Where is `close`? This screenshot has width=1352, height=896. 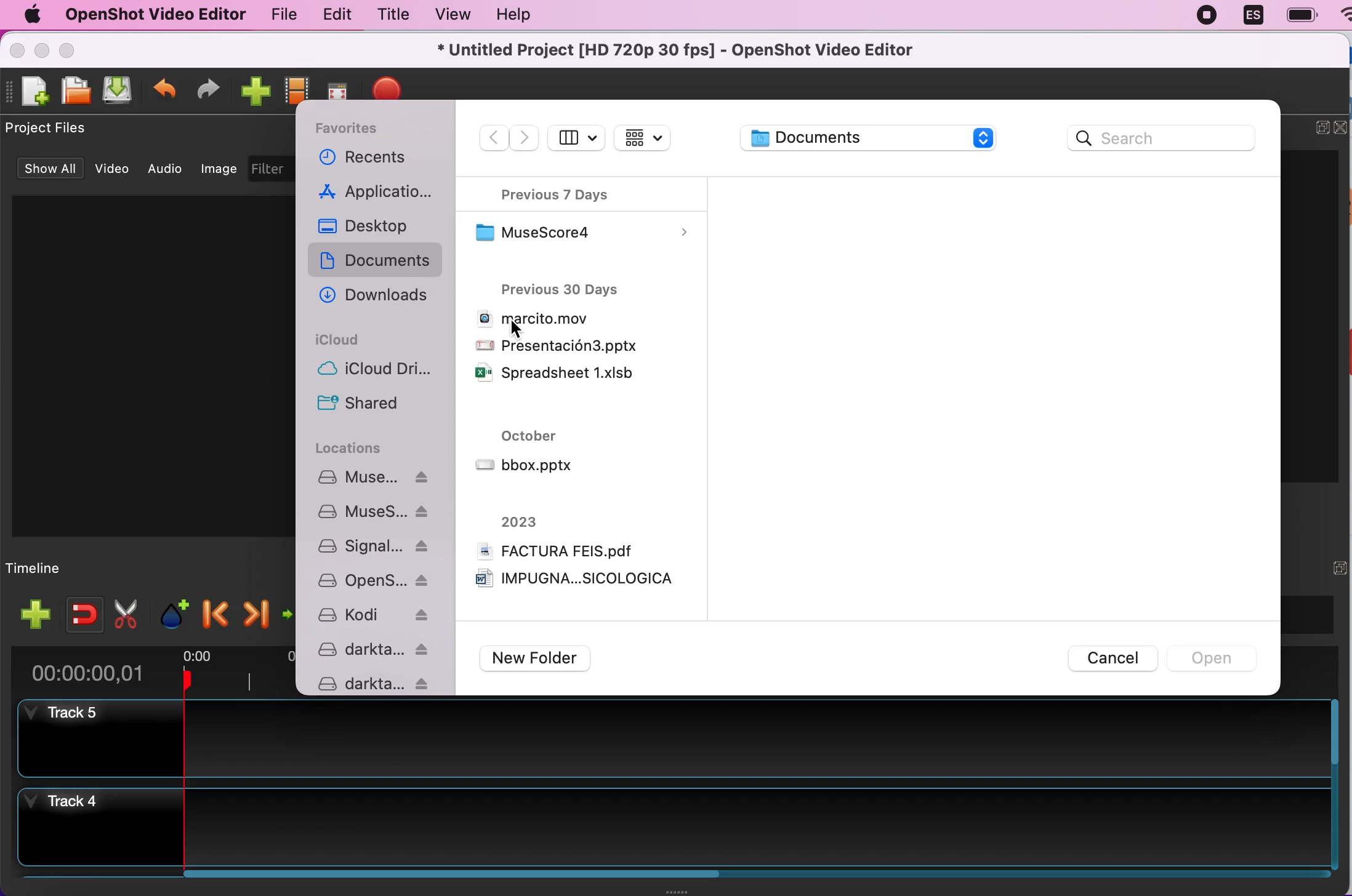 close is located at coordinates (1341, 126).